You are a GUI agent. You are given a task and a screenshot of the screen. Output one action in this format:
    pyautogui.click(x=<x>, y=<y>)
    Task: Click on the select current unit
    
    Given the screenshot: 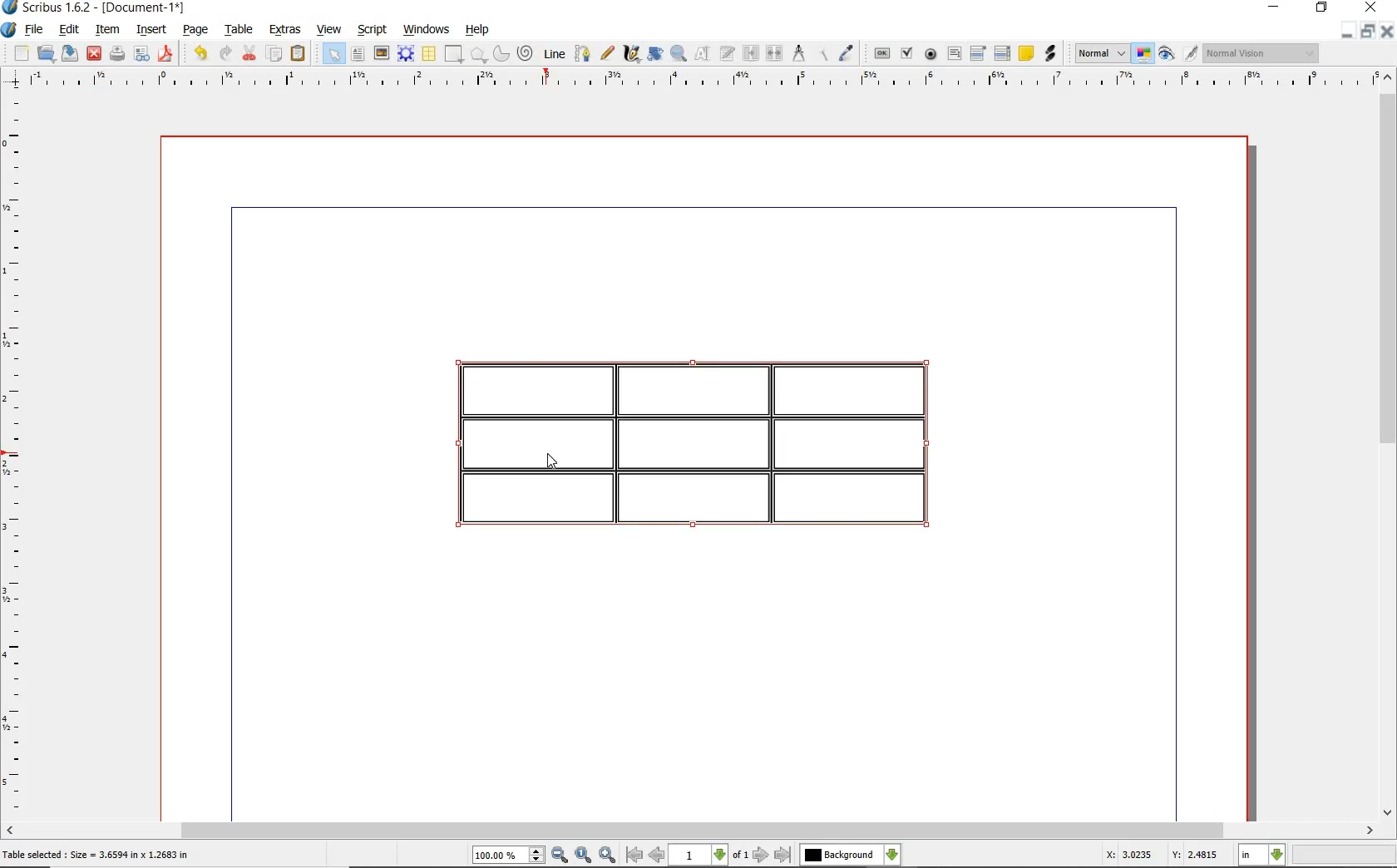 What is the action you would take?
    pyautogui.click(x=1261, y=856)
    